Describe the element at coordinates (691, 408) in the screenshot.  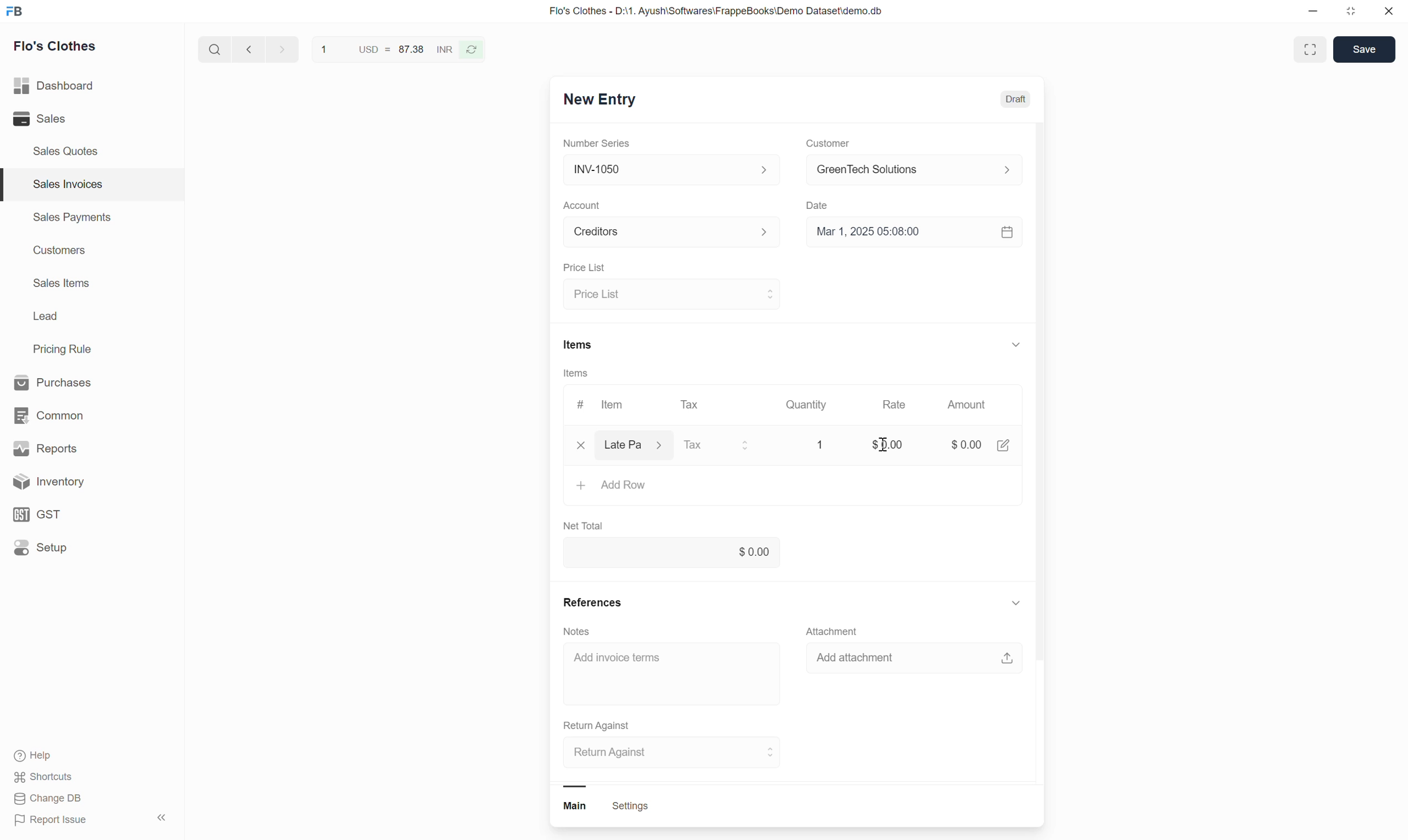
I see `Tax` at that location.